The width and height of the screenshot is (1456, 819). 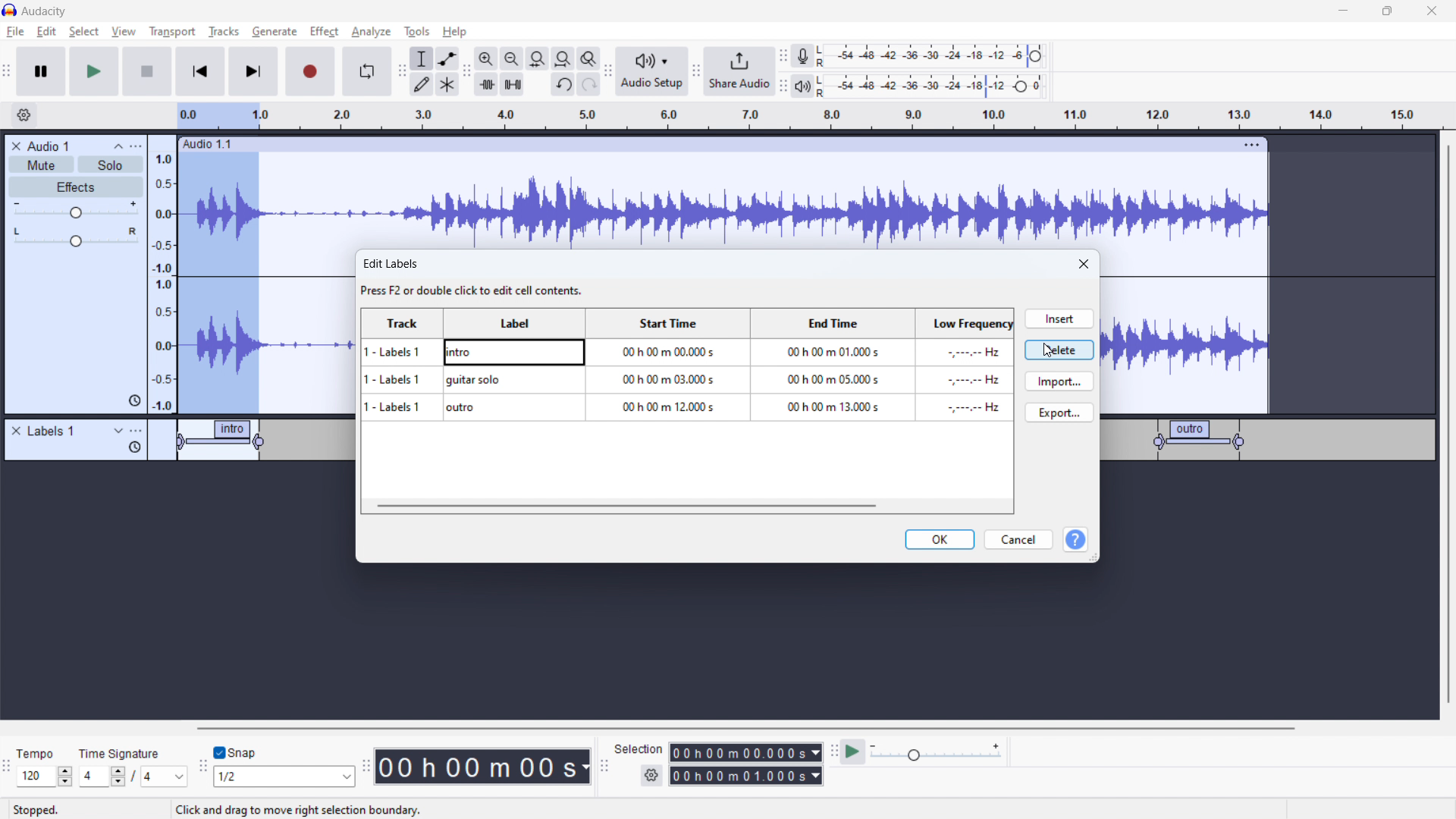 I want to click on envelop tool, so click(x=447, y=58).